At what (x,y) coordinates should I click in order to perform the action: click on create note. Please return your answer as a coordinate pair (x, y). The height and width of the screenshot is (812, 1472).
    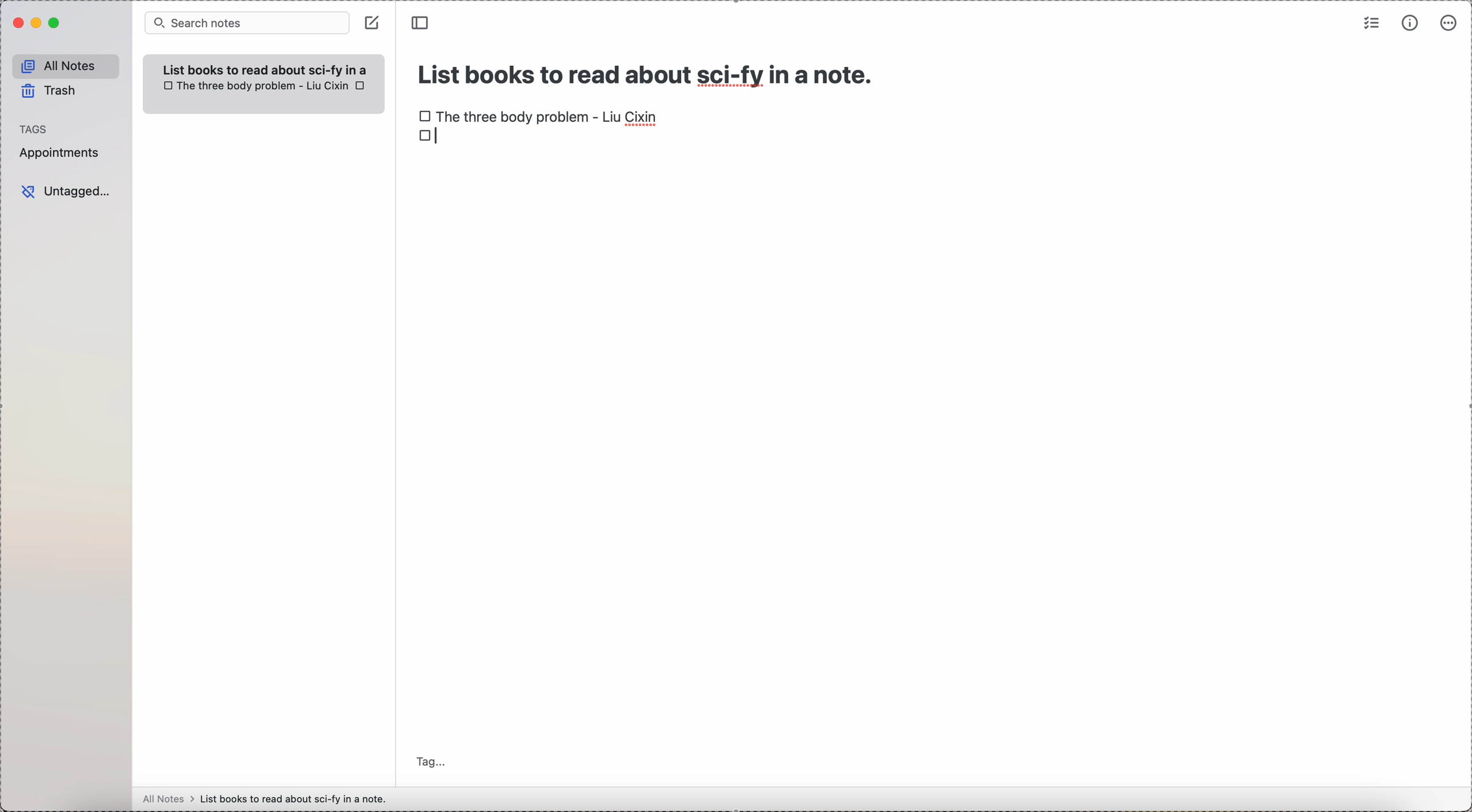
    Looking at the image, I should click on (372, 23).